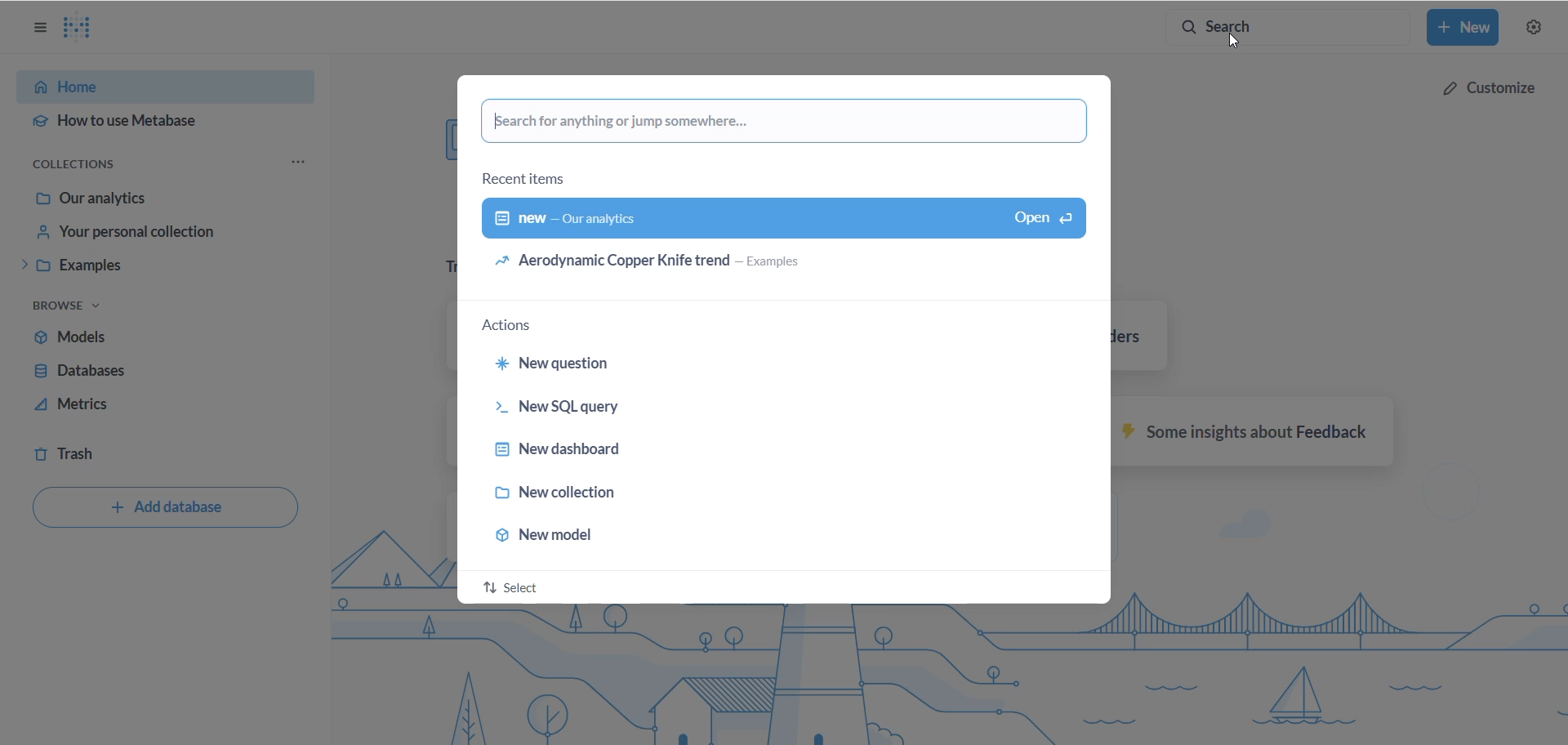 This screenshot has width=1568, height=745. Describe the element at coordinates (82, 449) in the screenshot. I see `trash` at that location.